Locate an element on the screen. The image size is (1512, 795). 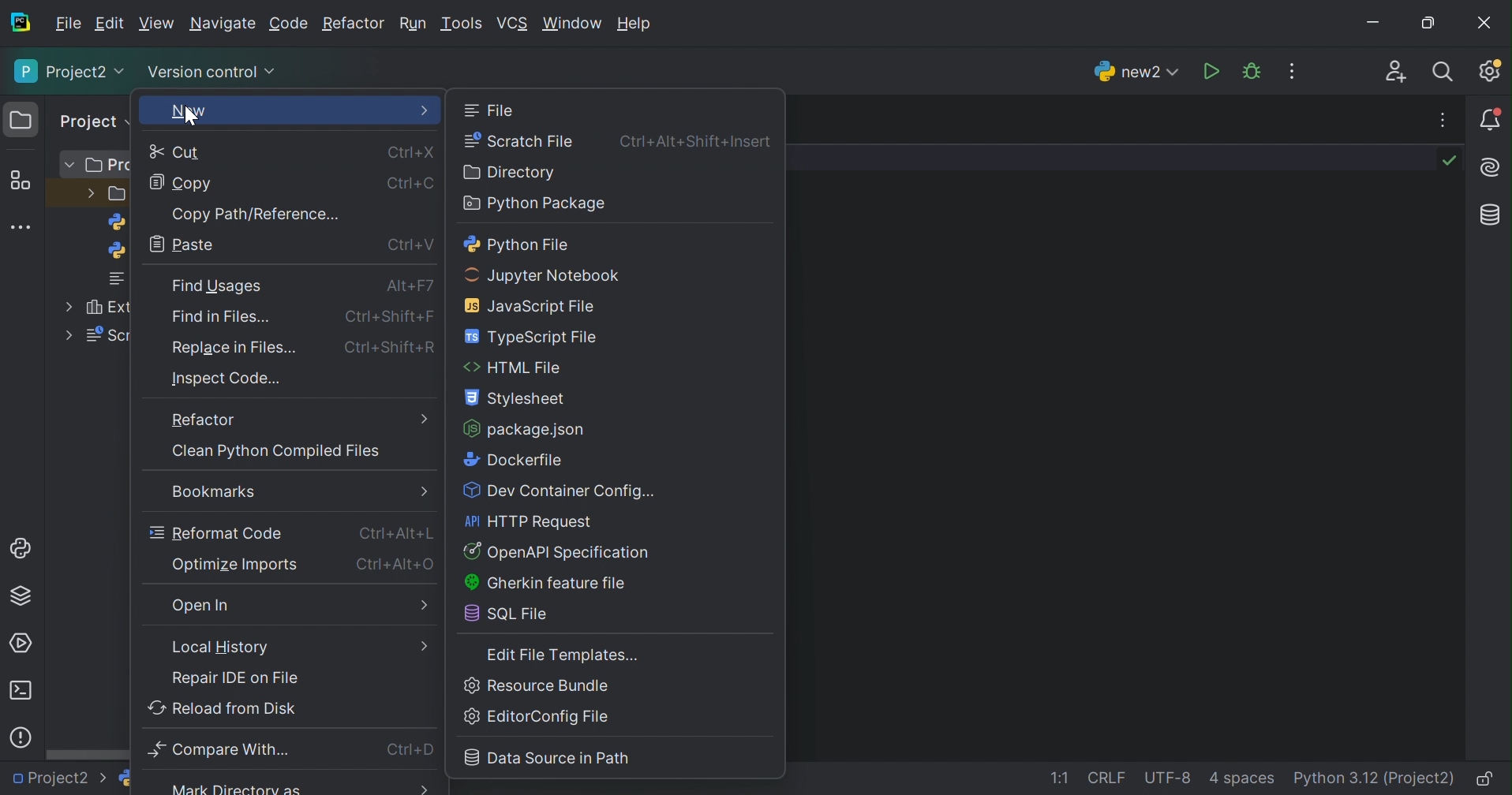
Project2 is located at coordinates (68, 73).